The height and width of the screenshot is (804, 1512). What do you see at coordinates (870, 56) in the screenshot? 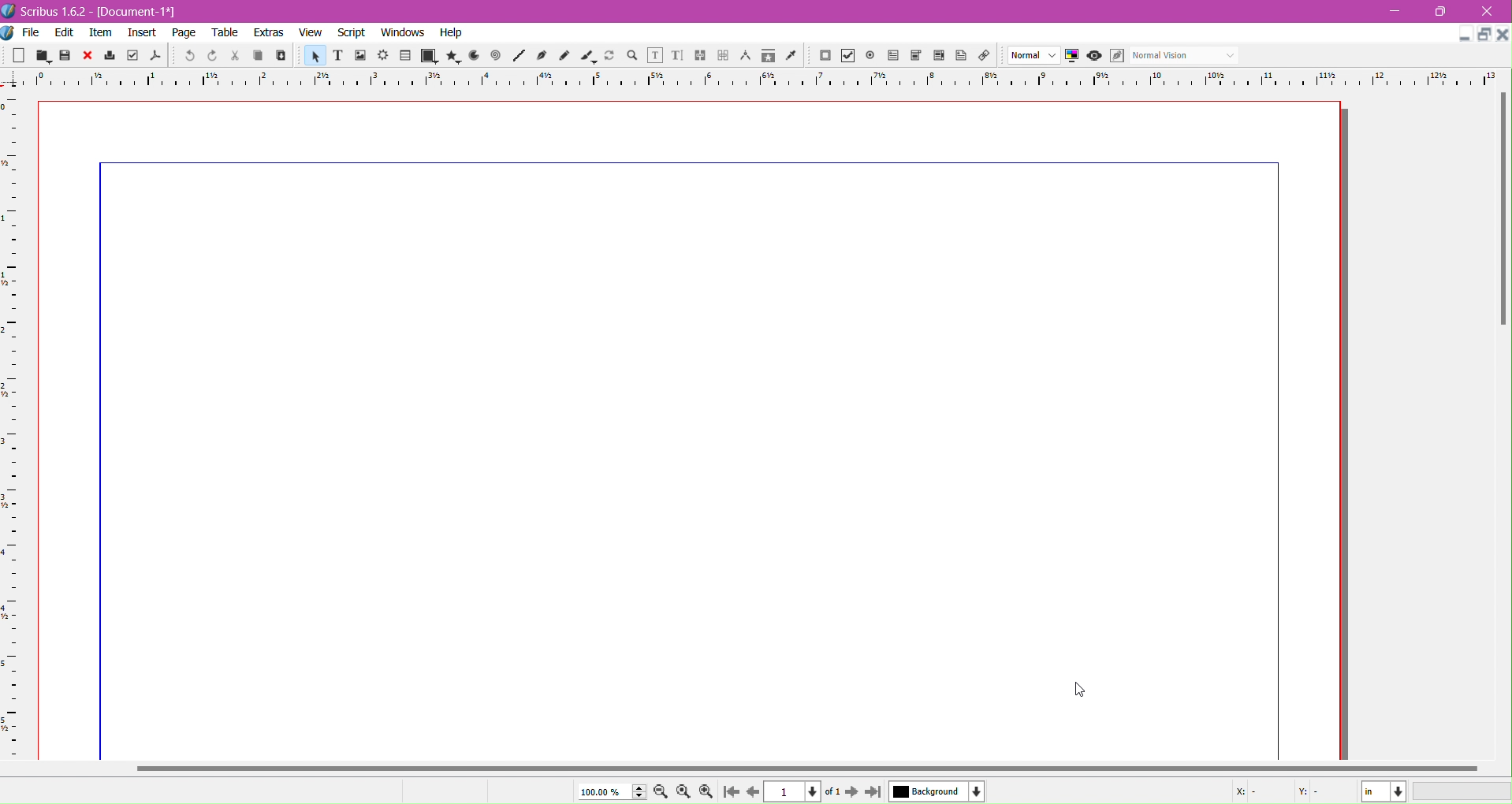
I see `pdf radio button` at bounding box center [870, 56].